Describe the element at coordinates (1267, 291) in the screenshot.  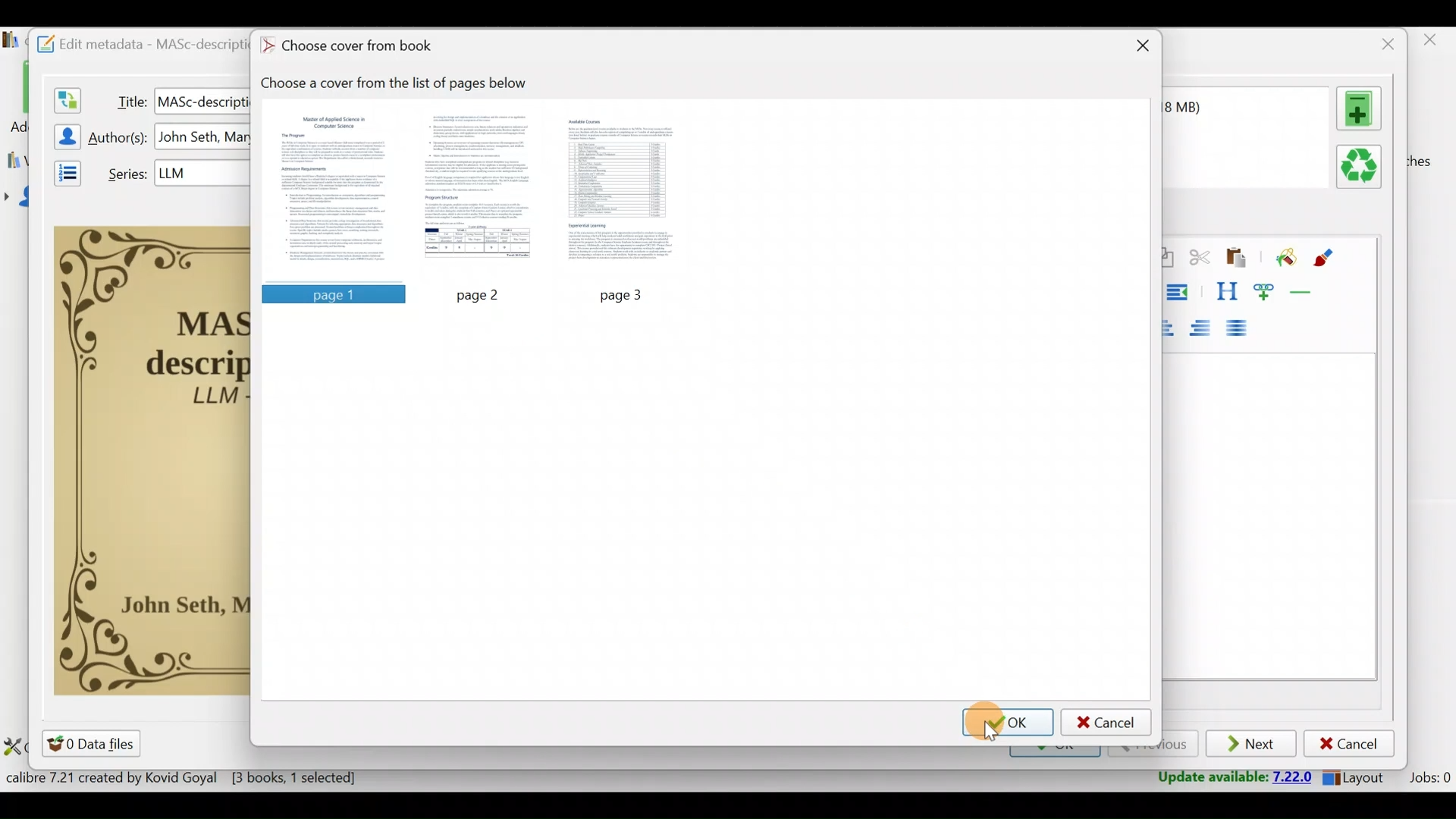
I see `Insert link or image` at that location.